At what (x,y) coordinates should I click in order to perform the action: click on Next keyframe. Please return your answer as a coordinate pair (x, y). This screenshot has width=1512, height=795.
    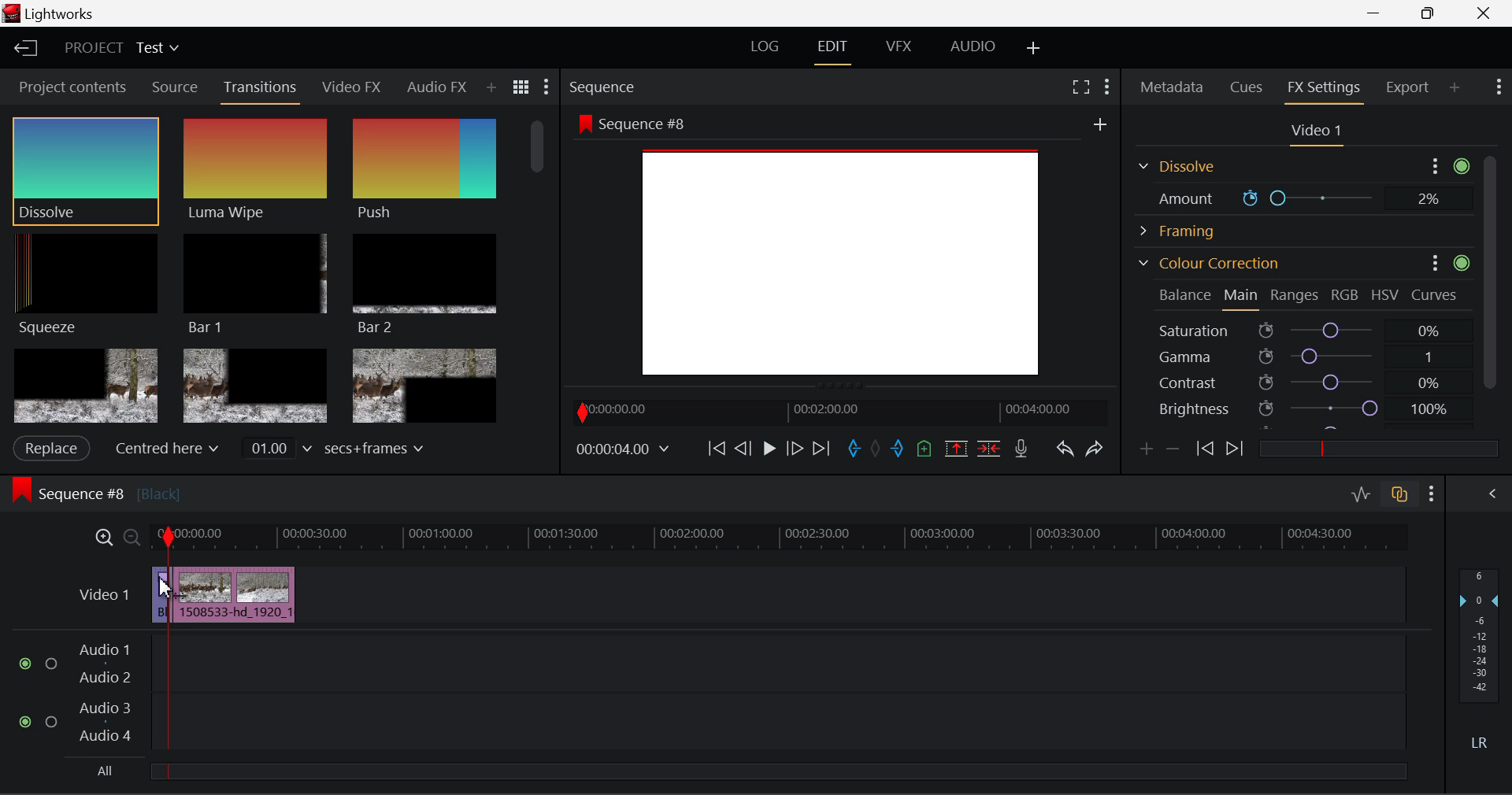
    Looking at the image, I should click on (1236, 449).